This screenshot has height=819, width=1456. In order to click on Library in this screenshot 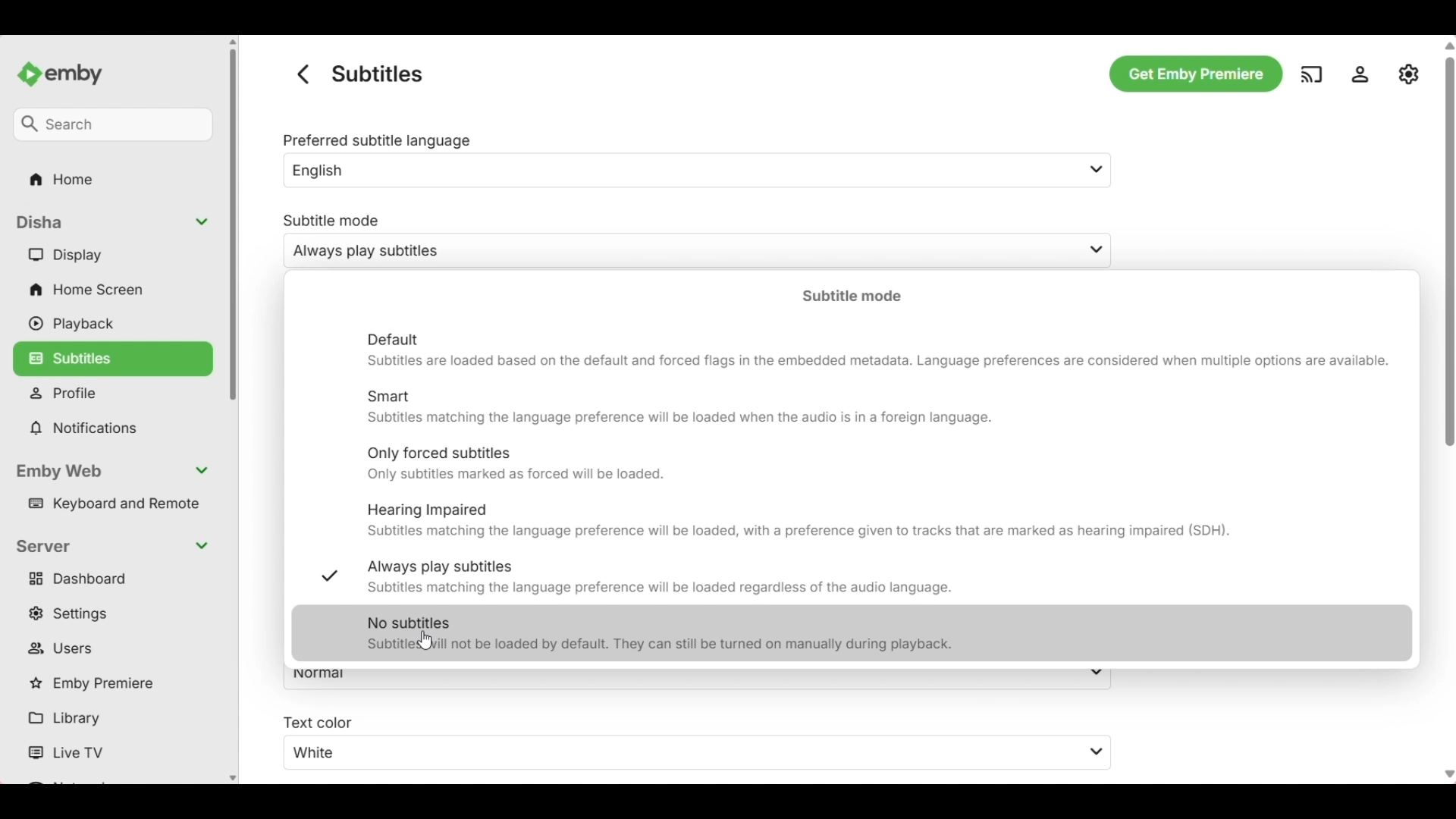, I will do `click(115, 720)`.